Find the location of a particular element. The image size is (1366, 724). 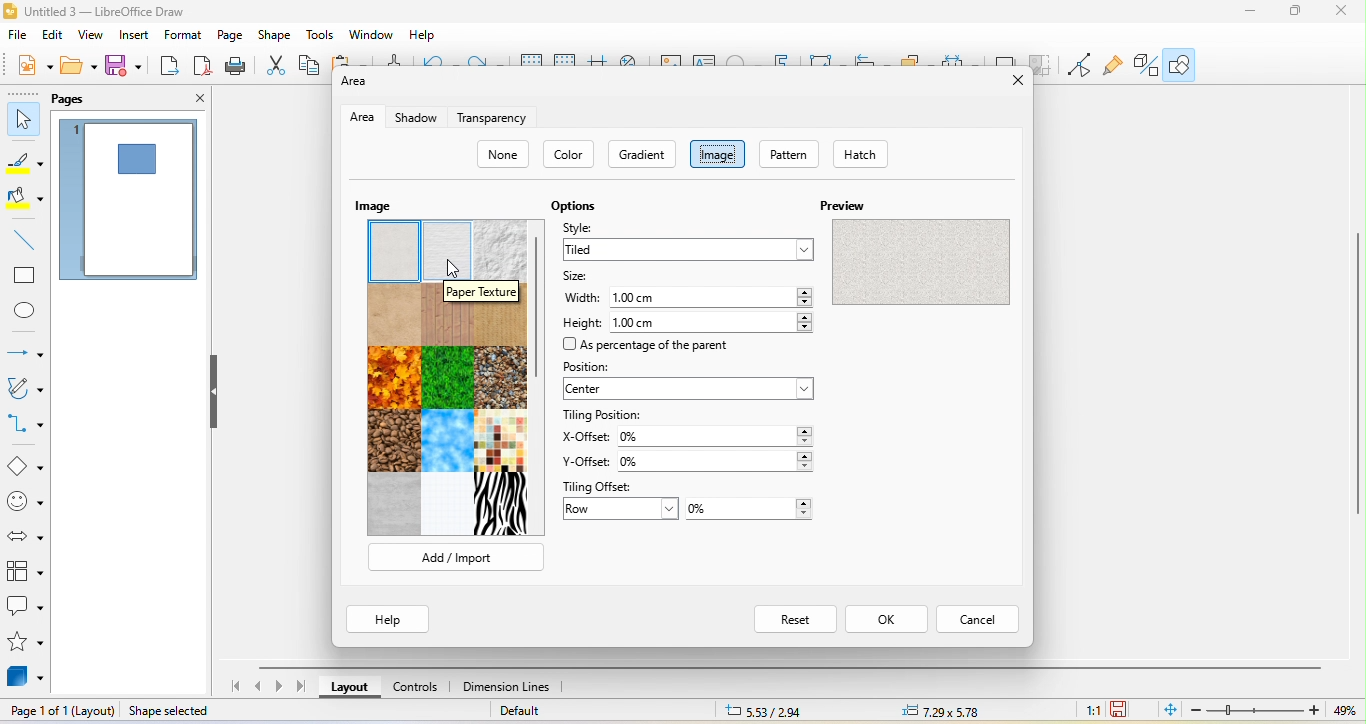

add/ import is located at coordinates (457, 555).